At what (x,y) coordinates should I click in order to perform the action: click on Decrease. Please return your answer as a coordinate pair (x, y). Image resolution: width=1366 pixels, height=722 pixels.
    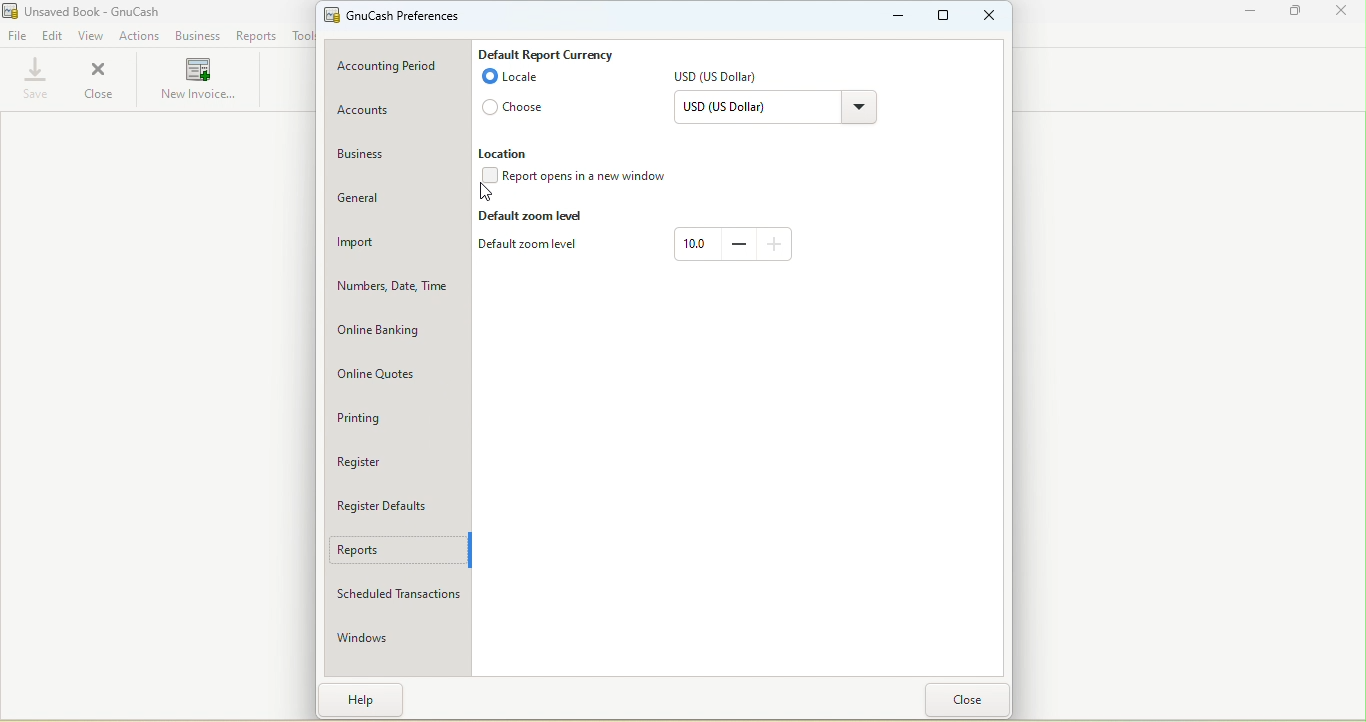
    Looking at the image, I should click on (738, 243).